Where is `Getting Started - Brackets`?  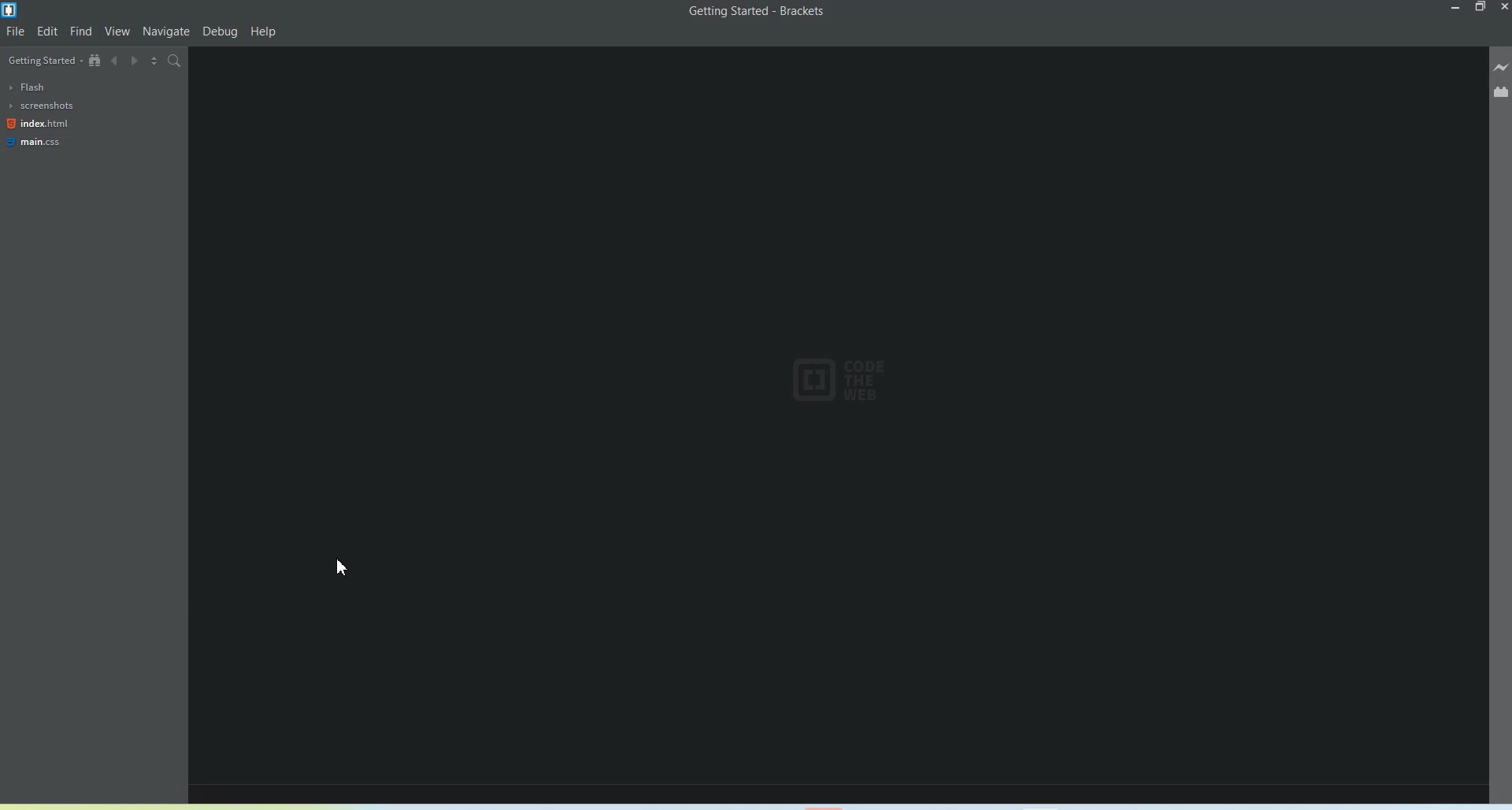 Getting Started - Brackets is located at coordinates (758, 12).